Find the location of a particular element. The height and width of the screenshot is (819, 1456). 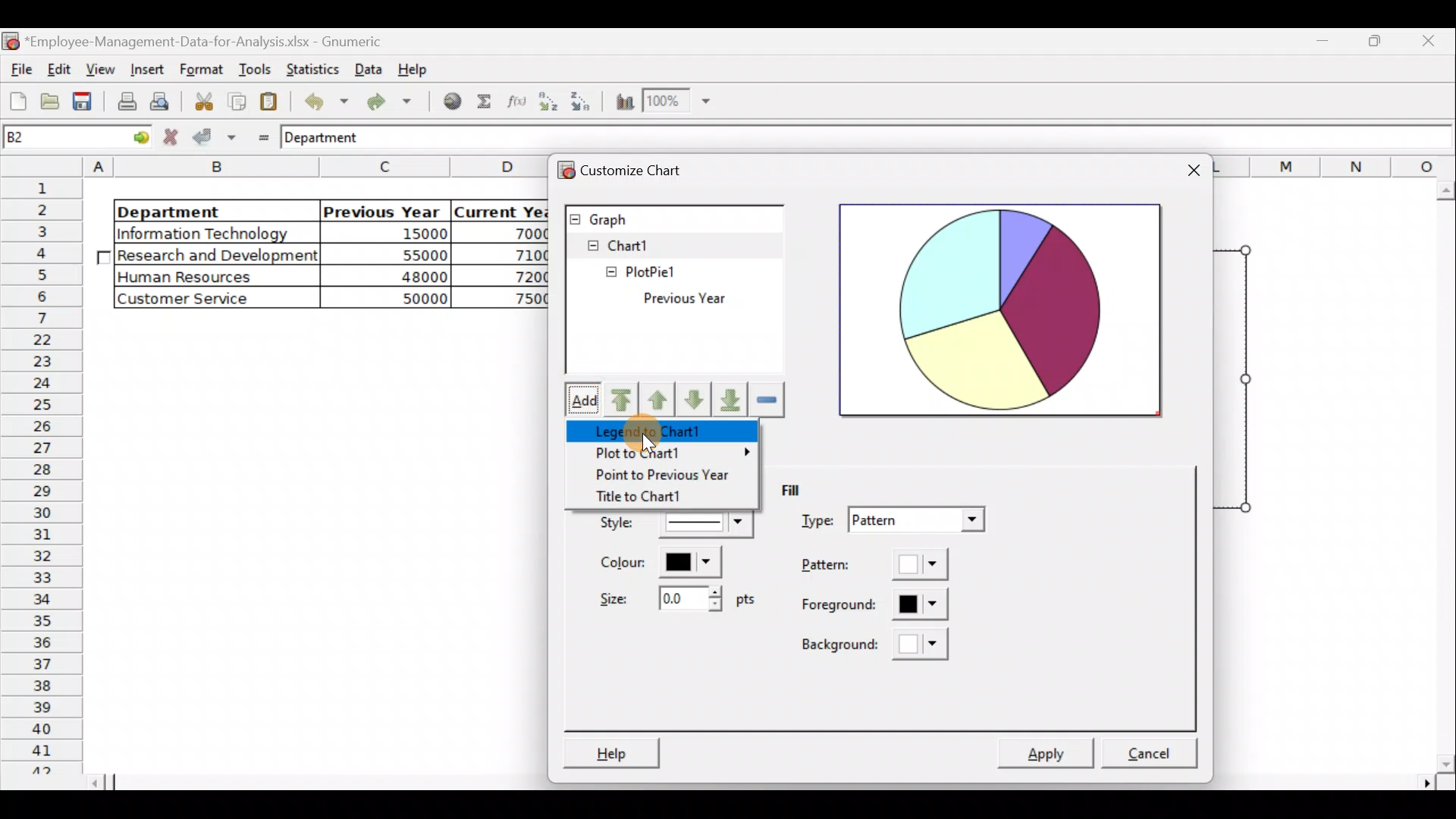

Cancel is located at coordinates (1156, 746).